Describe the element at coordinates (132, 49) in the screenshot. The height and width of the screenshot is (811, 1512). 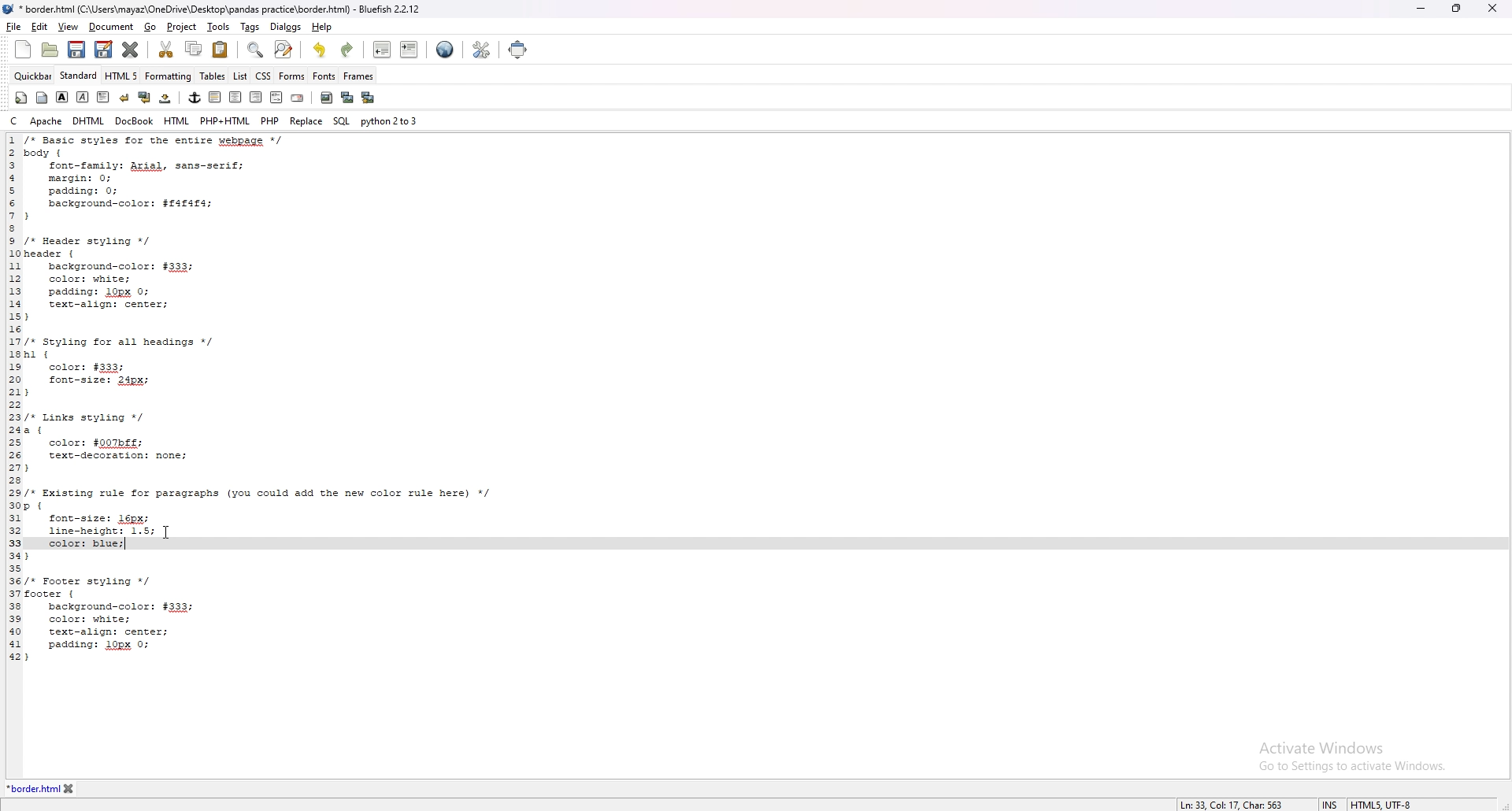
I see `close current tab` at that location.